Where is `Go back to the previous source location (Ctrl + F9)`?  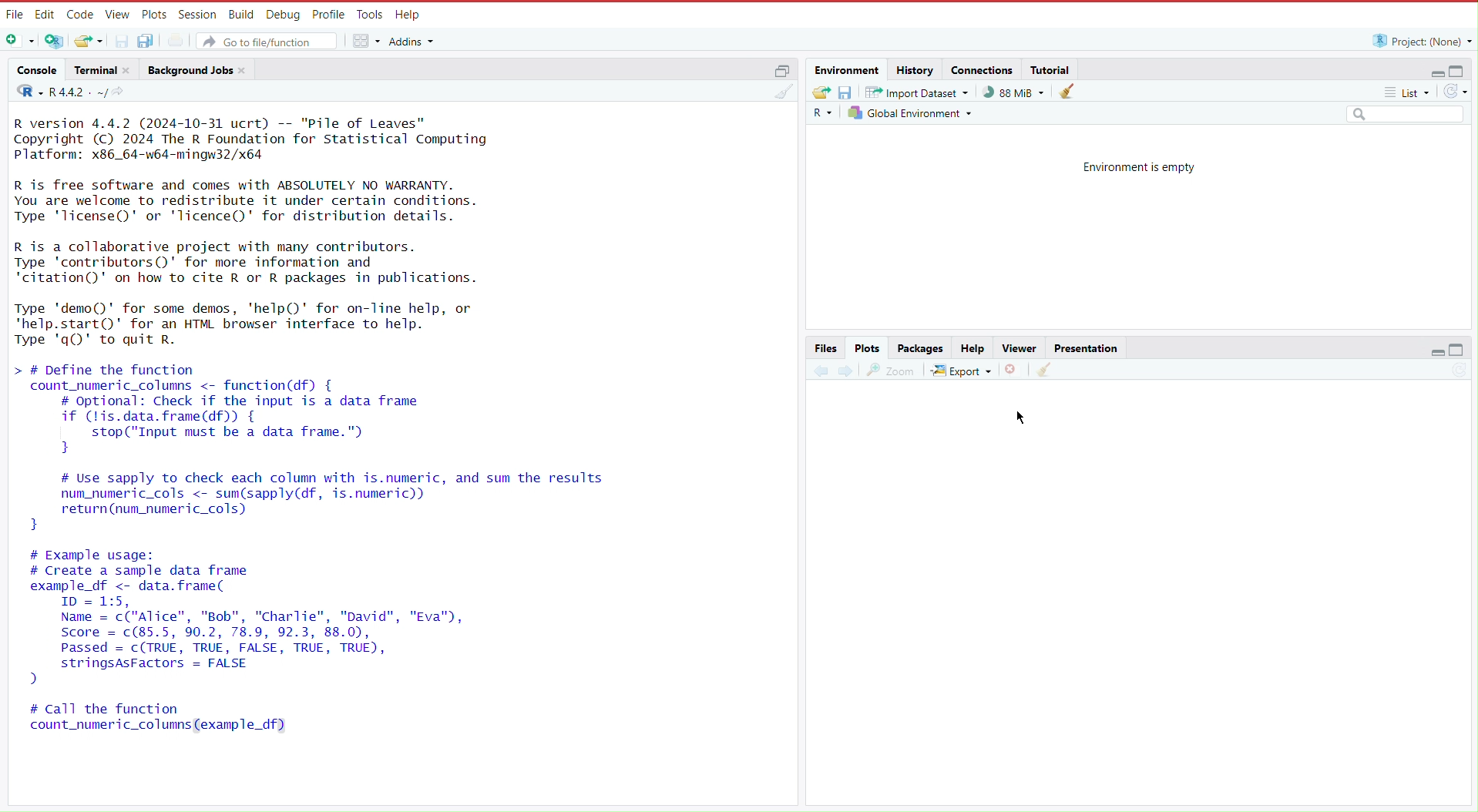 Go back to the previous source location (Ctrl + F9) is located at coordinates (821, 368).